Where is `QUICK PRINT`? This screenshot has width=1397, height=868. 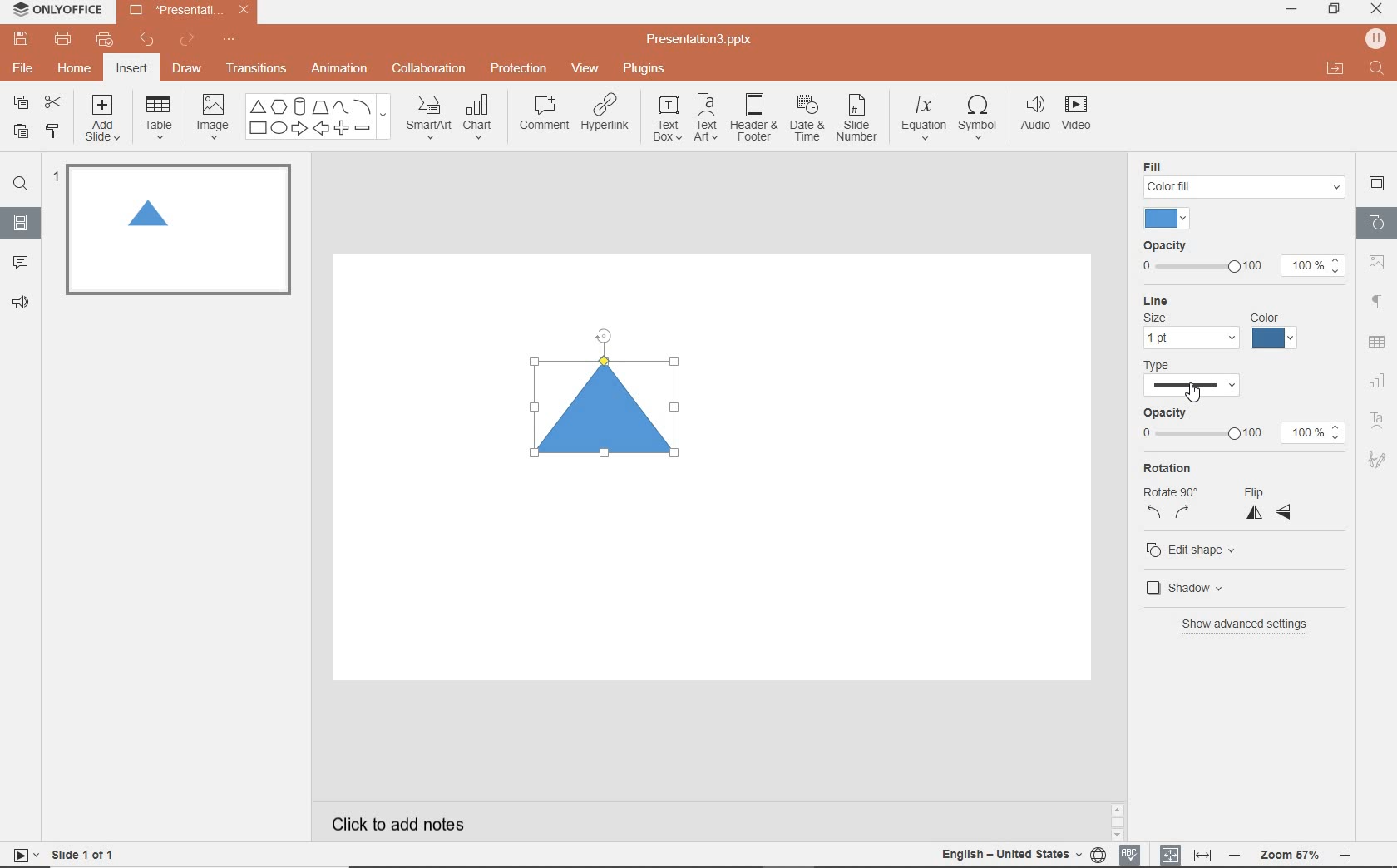 QUICK PRINT is located at coordinates (104, 41).